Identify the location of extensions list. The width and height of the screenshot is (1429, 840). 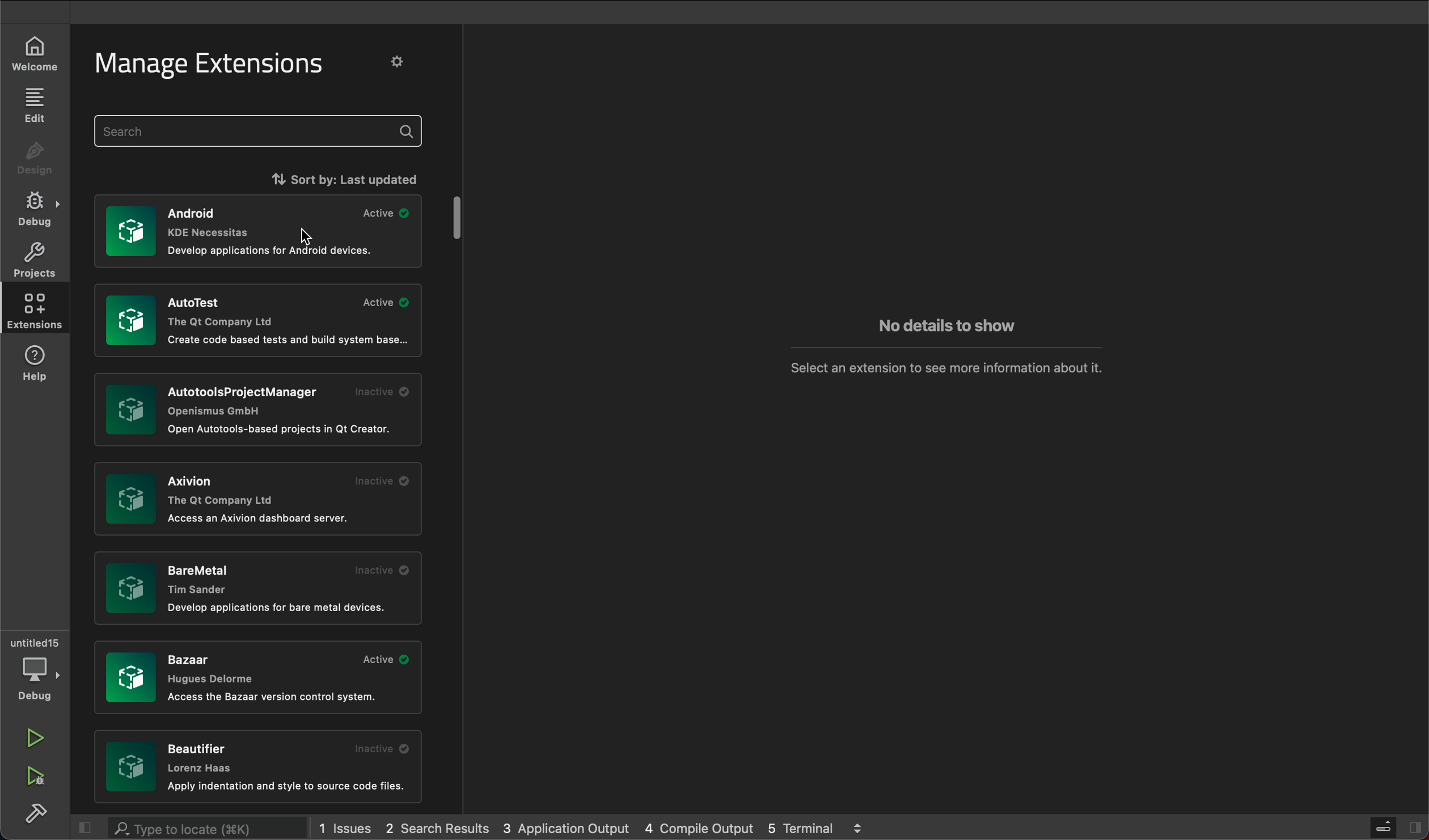
(256, 232).